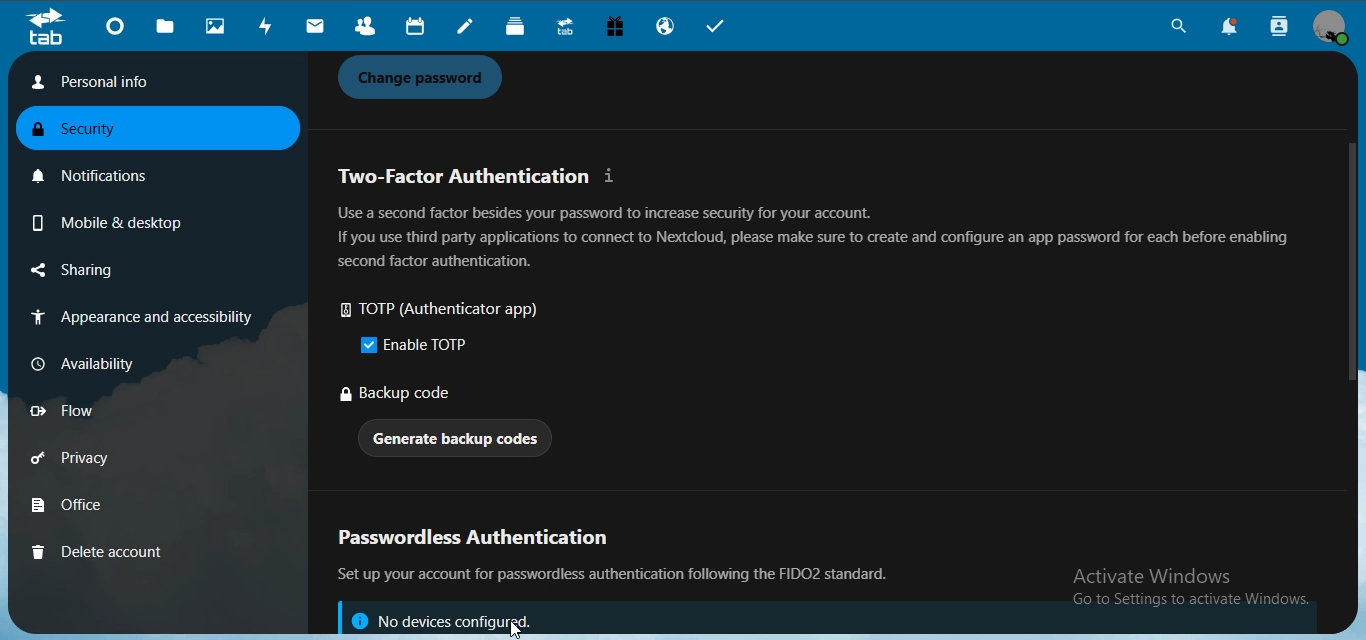 Image resolution: width=1366 pixels, height=640 pixels. Describe the element at coordinates (104, 219) in the screenshot. I see `mobile & desktop` at that location.